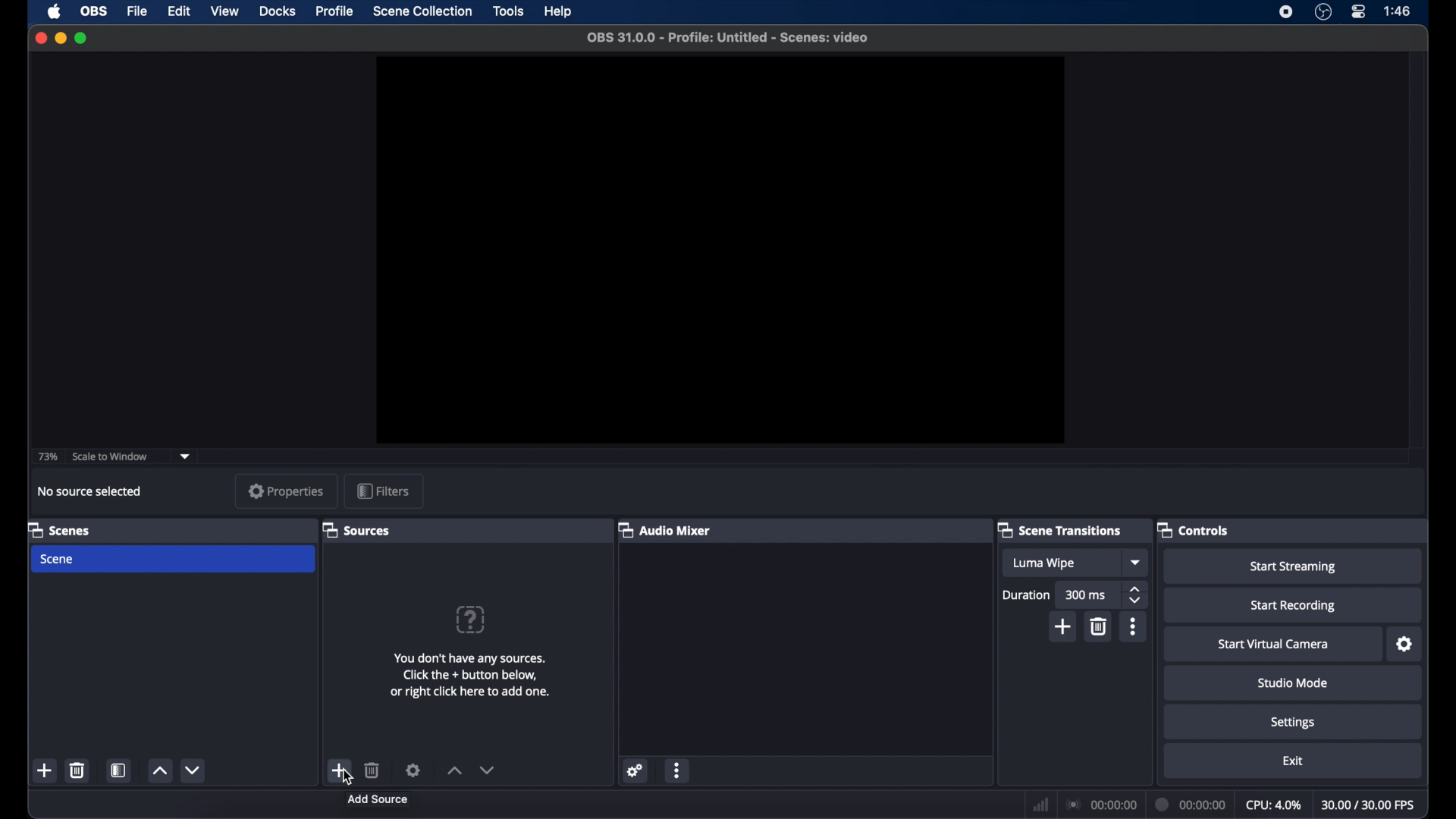 The image size is (1456, 819). Describe the element at coordinates (45, 770) in the screenshot. I see `add` at that location.